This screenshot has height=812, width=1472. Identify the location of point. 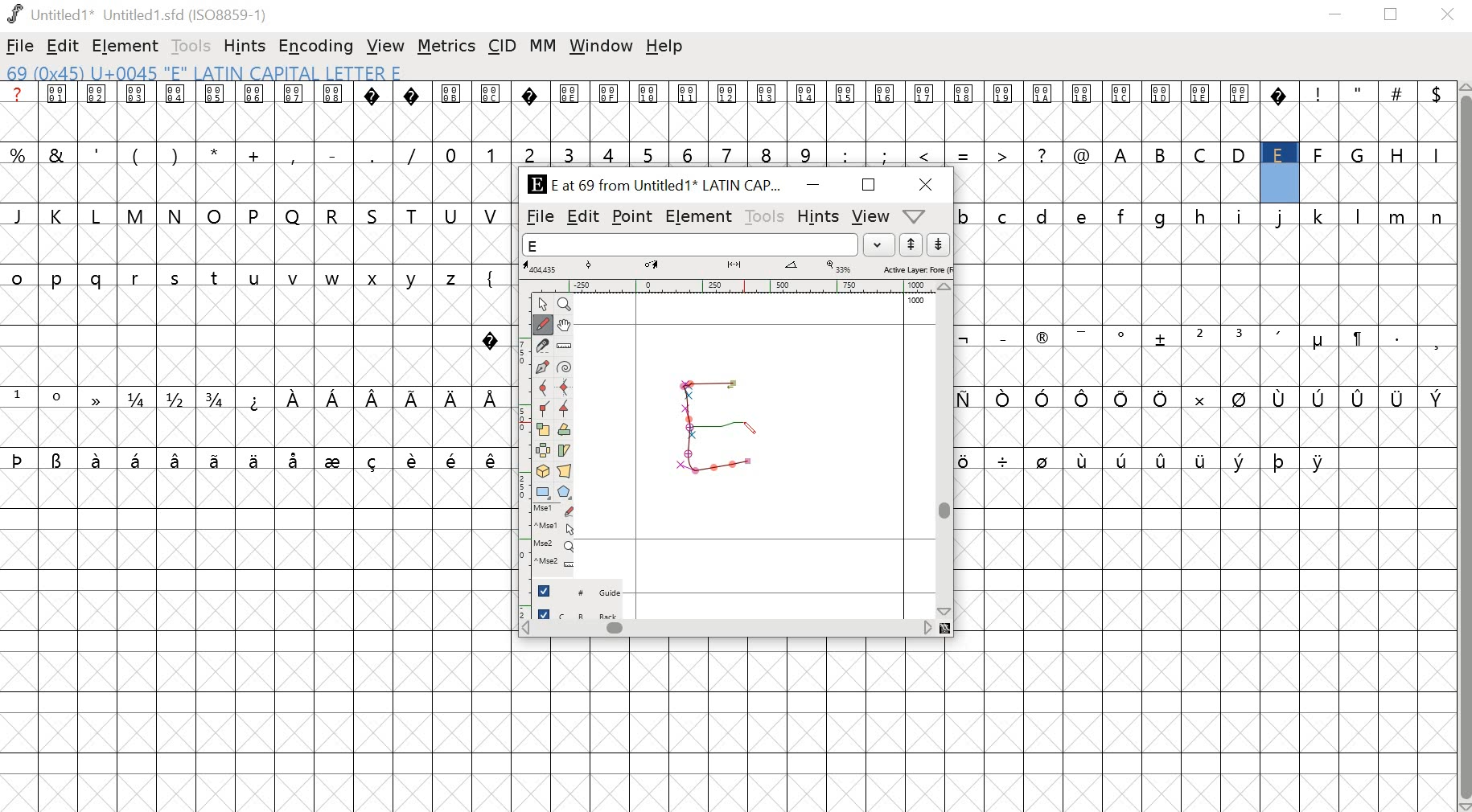
(632, 217).